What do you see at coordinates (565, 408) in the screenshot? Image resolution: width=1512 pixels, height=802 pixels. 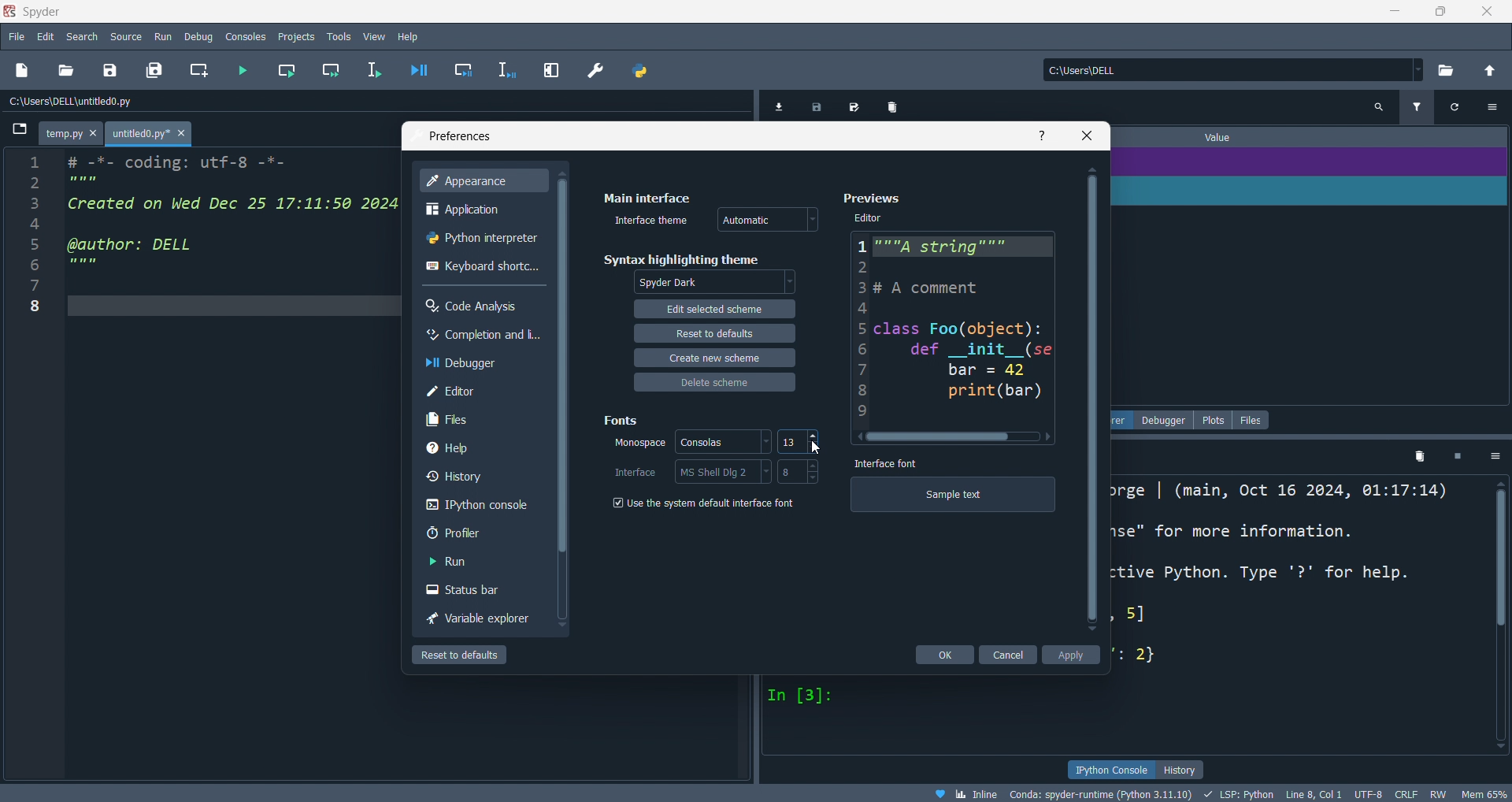 I see `scroll bar` at bounding box center [565, 408].